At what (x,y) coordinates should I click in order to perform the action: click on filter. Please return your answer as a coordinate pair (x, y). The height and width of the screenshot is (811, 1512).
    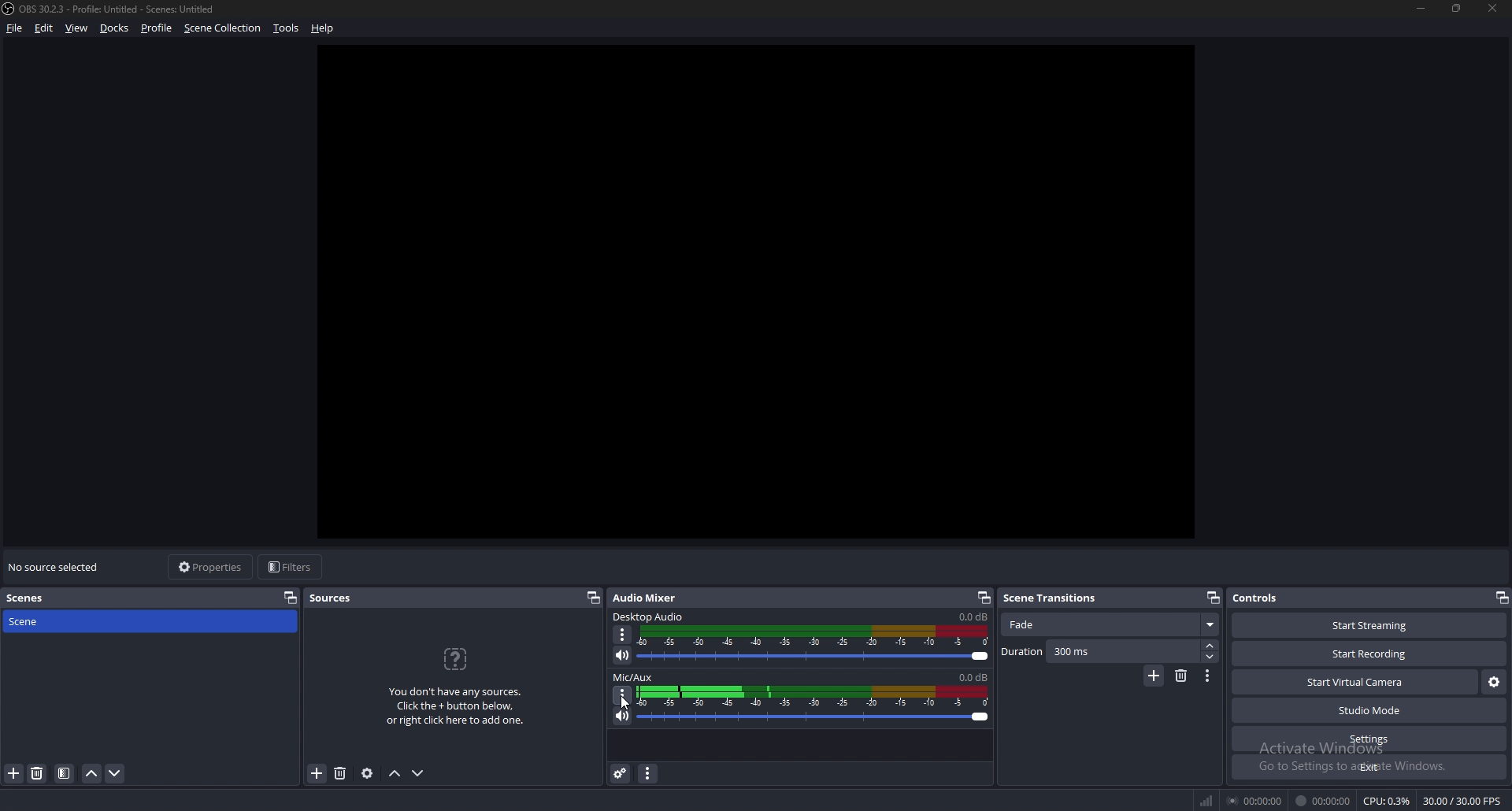
    Looking at the image, I should click on (65, 773).